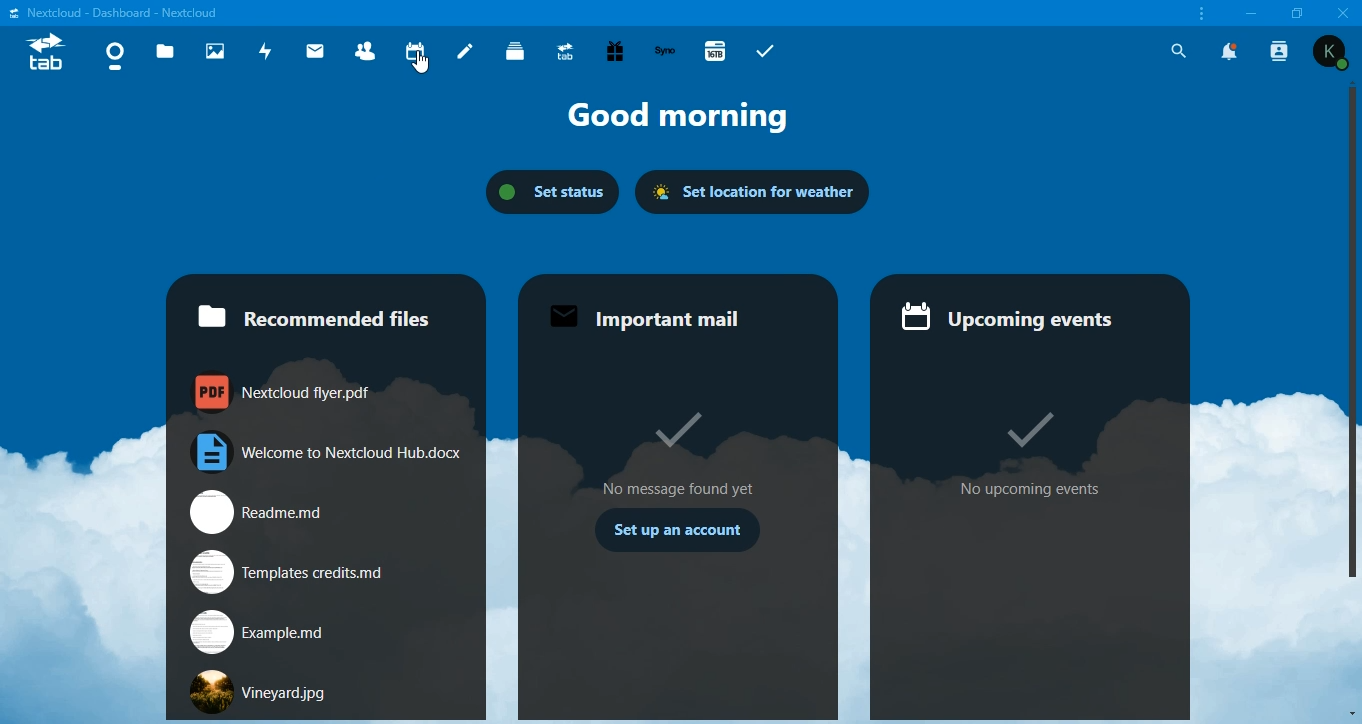  What do you see at coordinates (123, 14) in the screenshot?
I see `text` at bounding box center [123, 14].